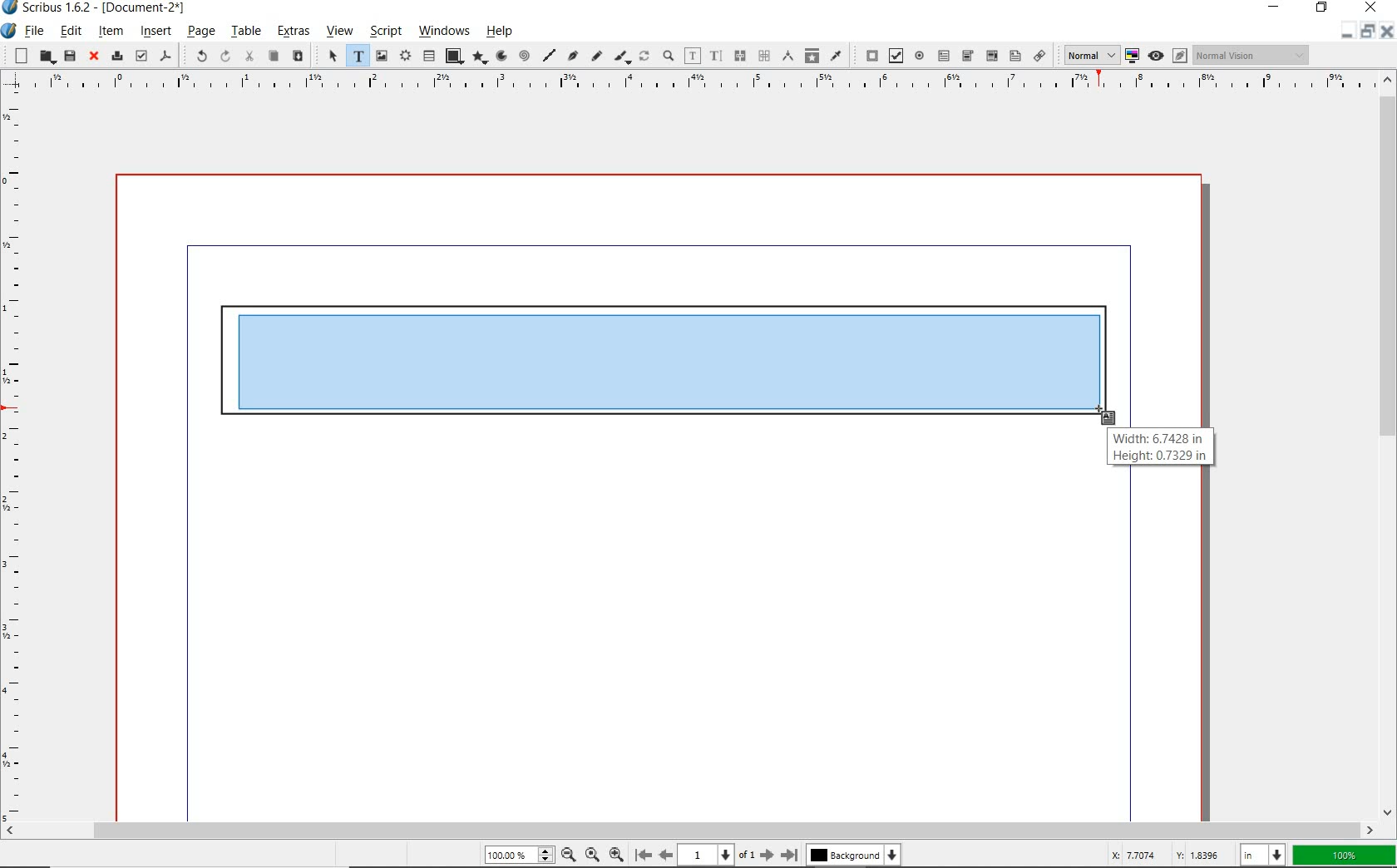 This screenshot has height=868, width=1397. Describe the element at coordinates (867, 55) in the screenshot. I see `pdf push button` at that location.